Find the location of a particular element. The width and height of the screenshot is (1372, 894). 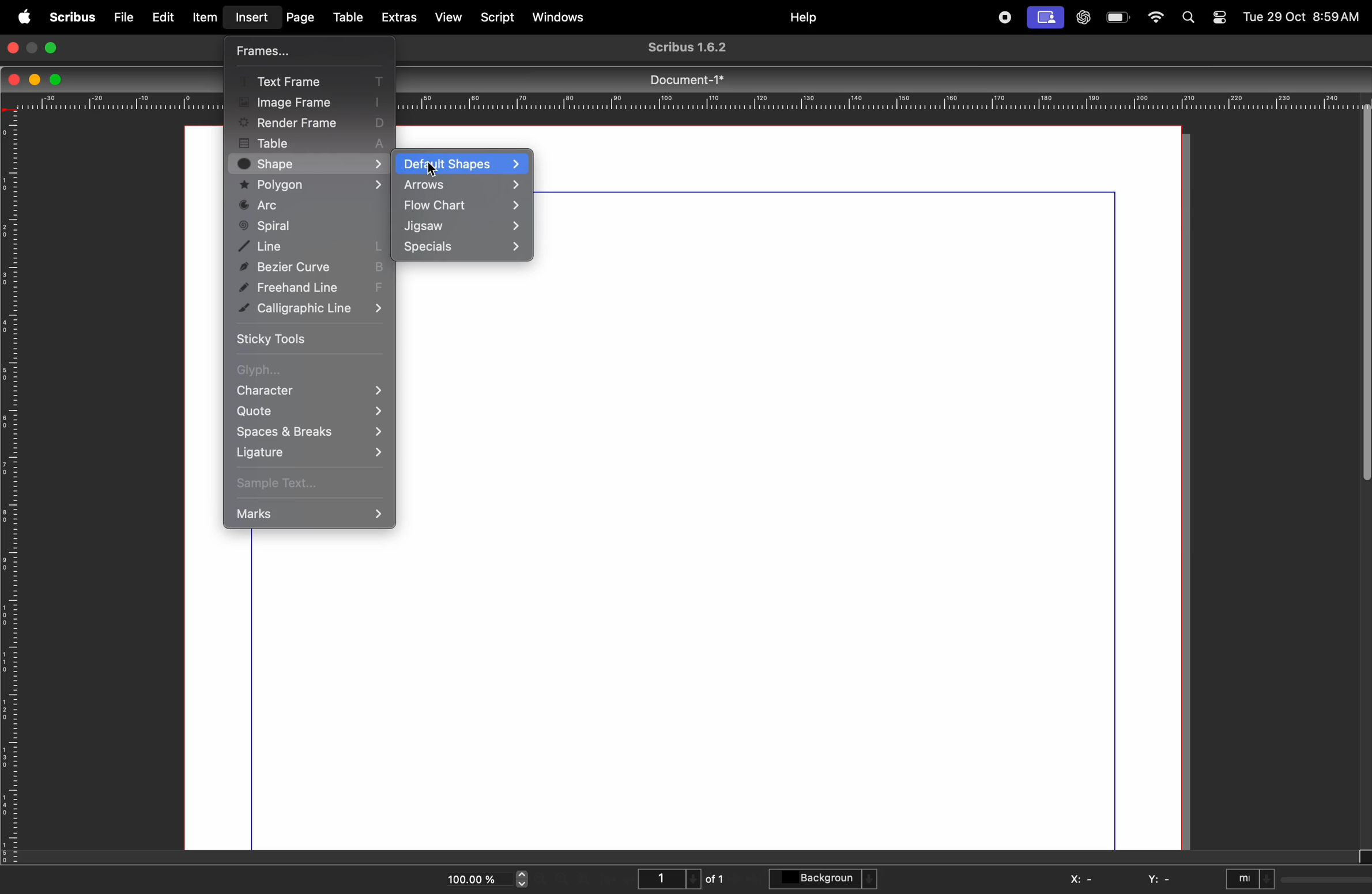

arrows is located at coordinates (462, 185).